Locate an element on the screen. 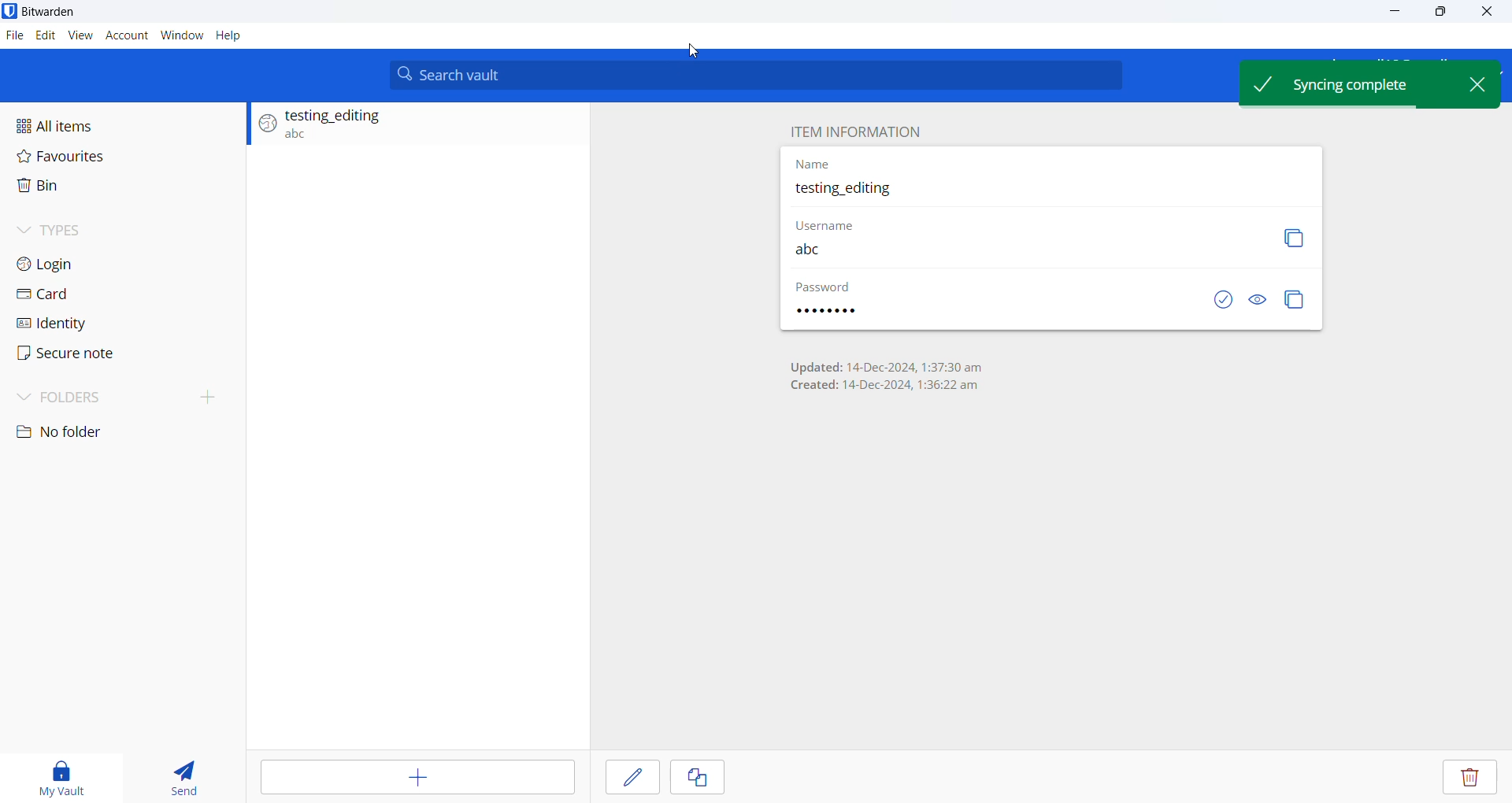  Window is located at coordinates (182, 33).